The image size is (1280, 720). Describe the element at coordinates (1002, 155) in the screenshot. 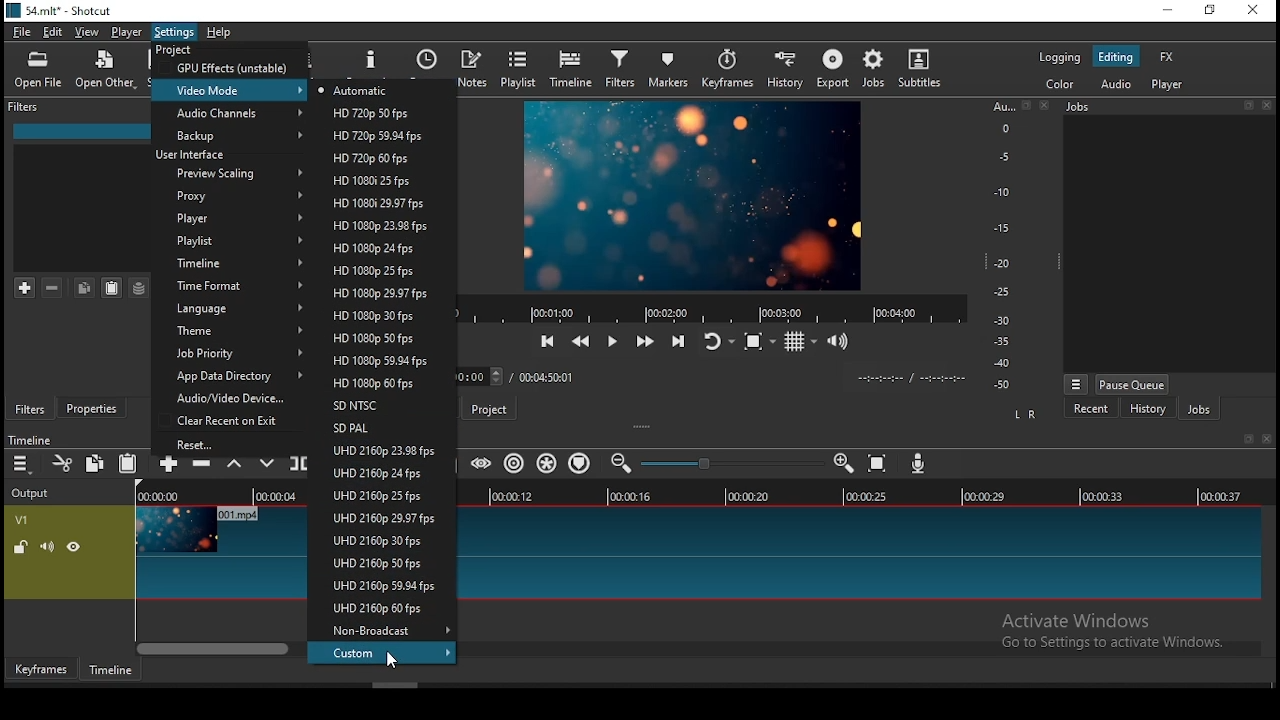

I see `-5` at that location.